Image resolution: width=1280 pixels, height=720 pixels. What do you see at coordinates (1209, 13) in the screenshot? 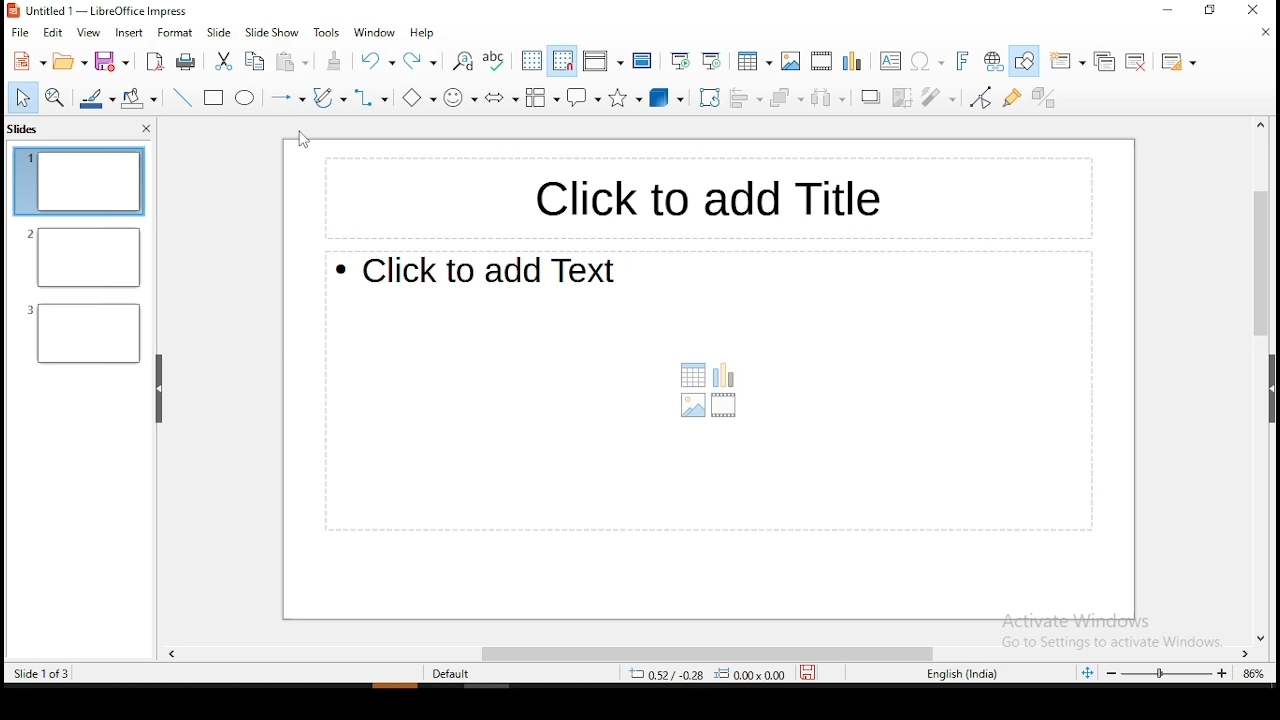
I see `restore` at bounding box center [1209, 13].